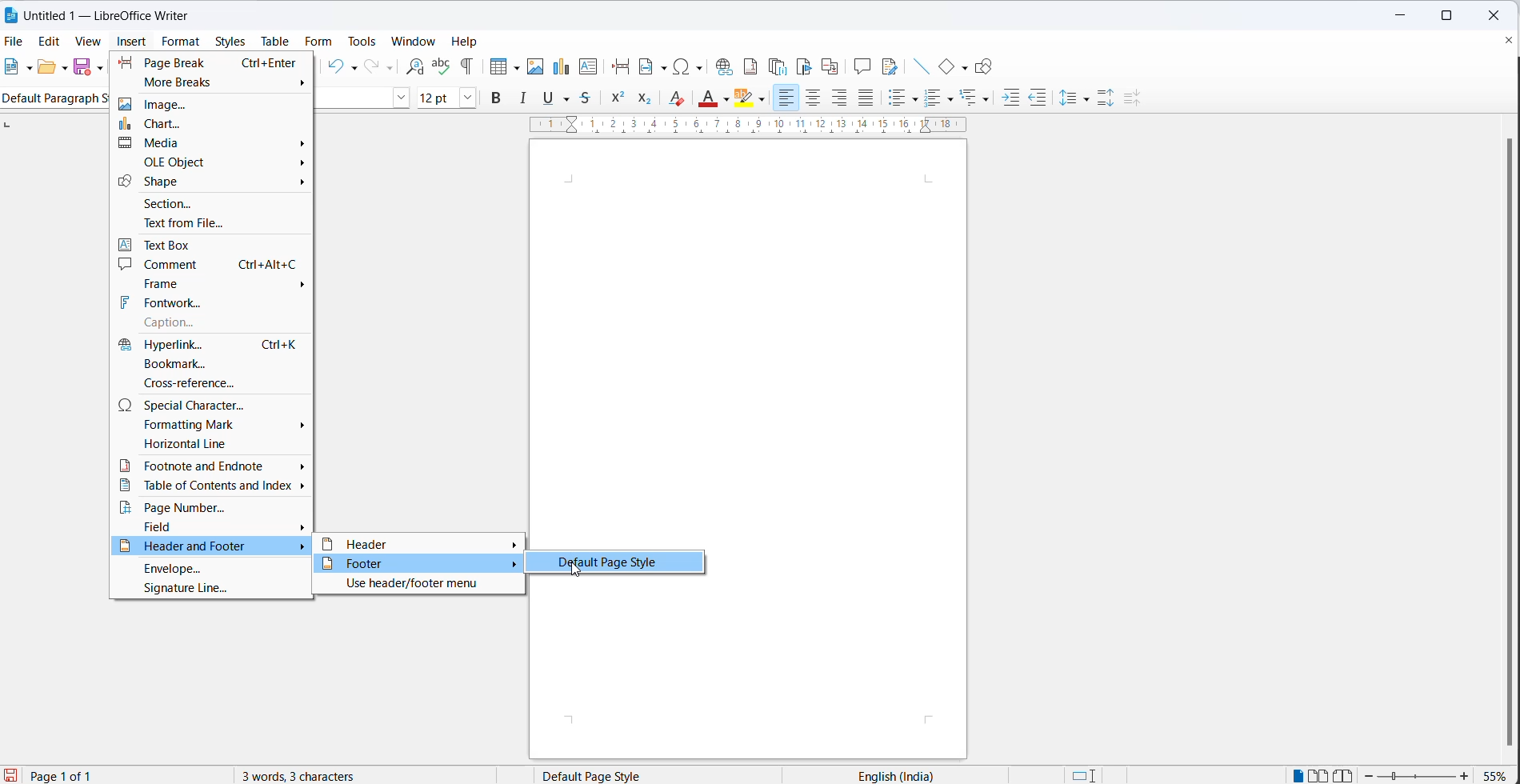  What do you see at coordinates (563, 67) in the screenshot?
I see `insert chart` at bounding box center [563, 67].